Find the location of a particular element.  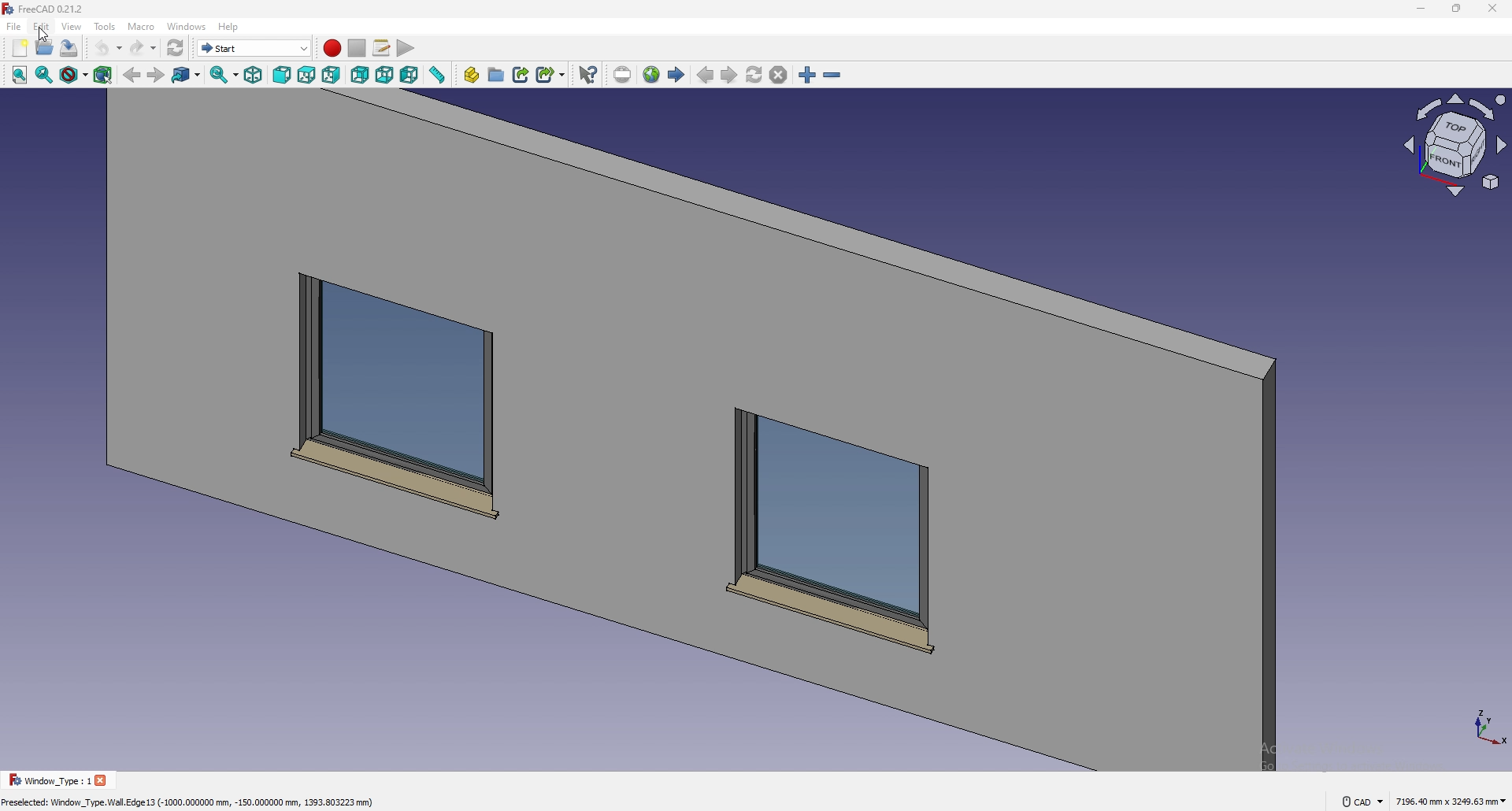

refresh is located at coordinates (176, 48).